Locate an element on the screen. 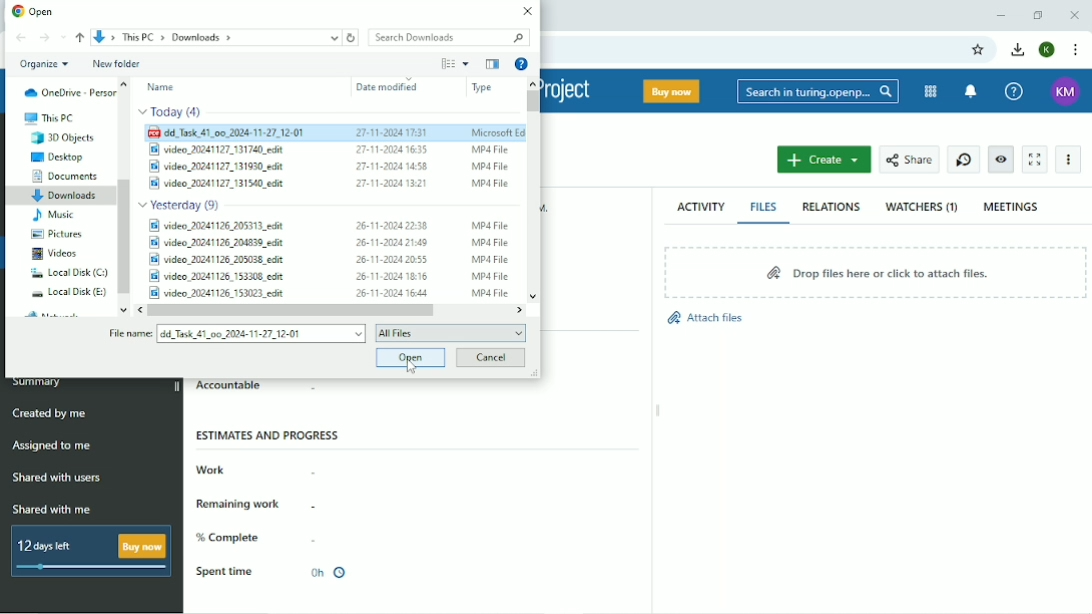 The image size is (1092, 614). Spent time is located at coordinates (225, 572).